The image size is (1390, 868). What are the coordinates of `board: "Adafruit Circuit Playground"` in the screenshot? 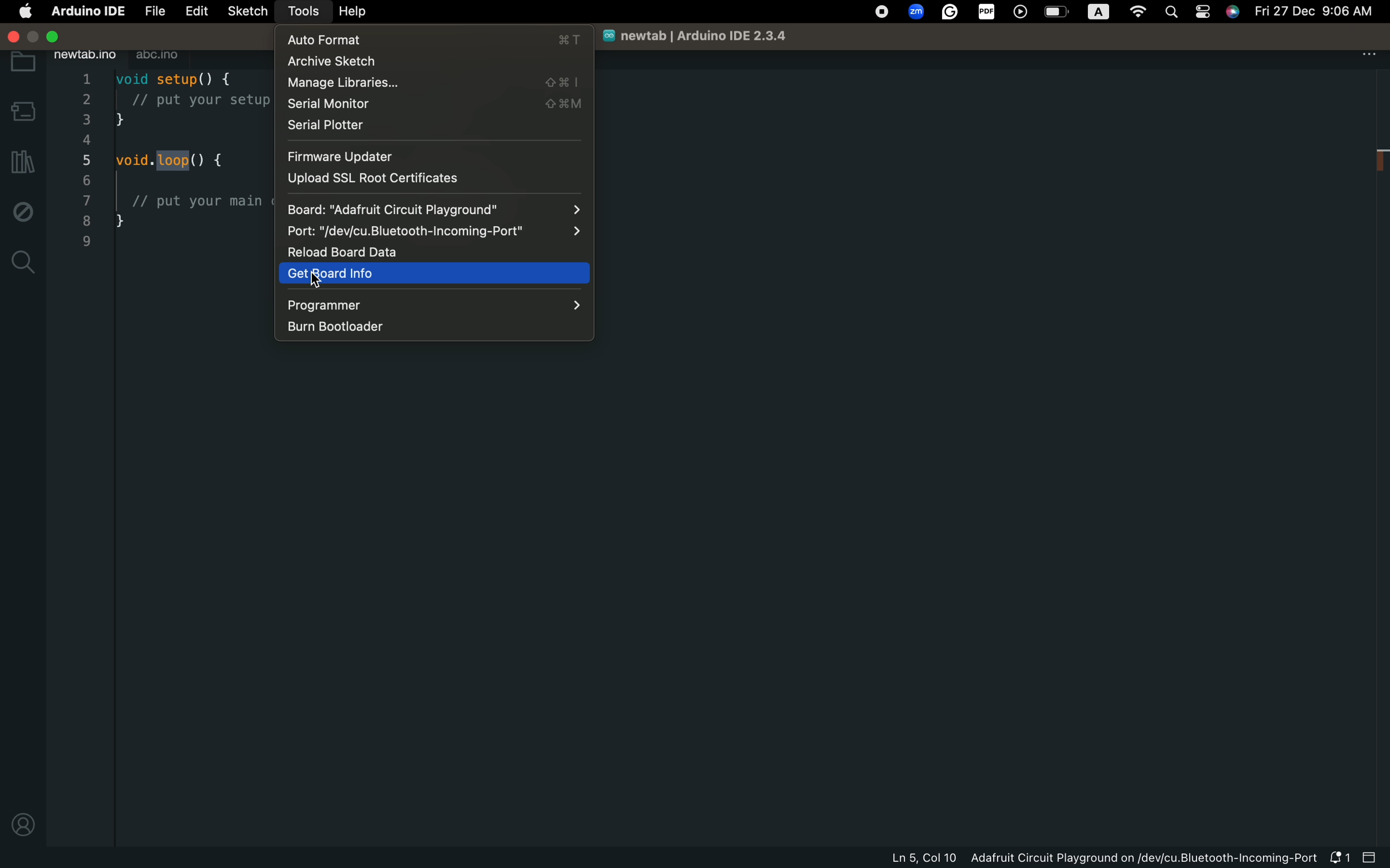 It's located at (434, 209).